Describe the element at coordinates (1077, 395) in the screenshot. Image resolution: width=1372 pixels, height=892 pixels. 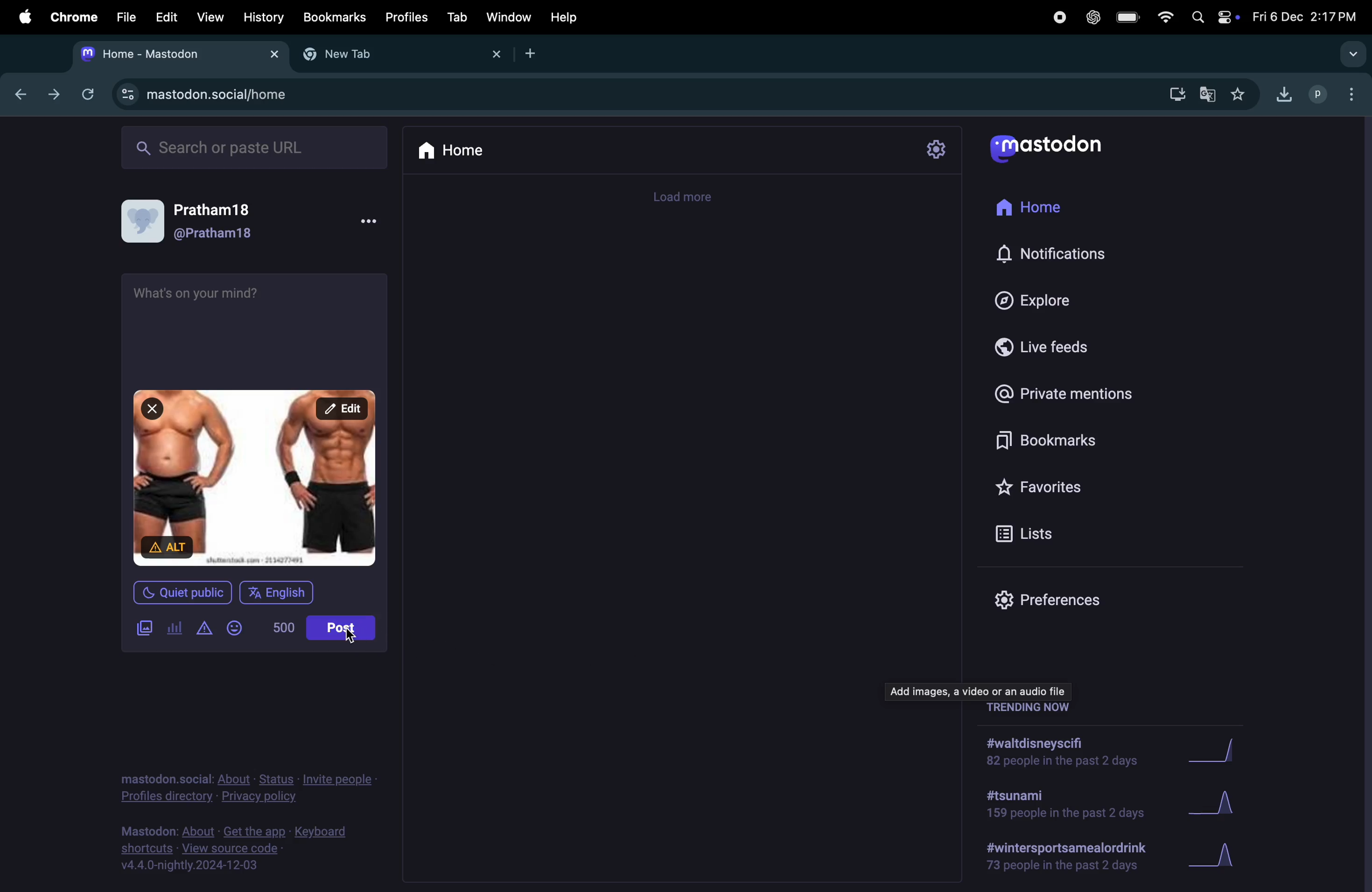
I see `private mentions` at that location.